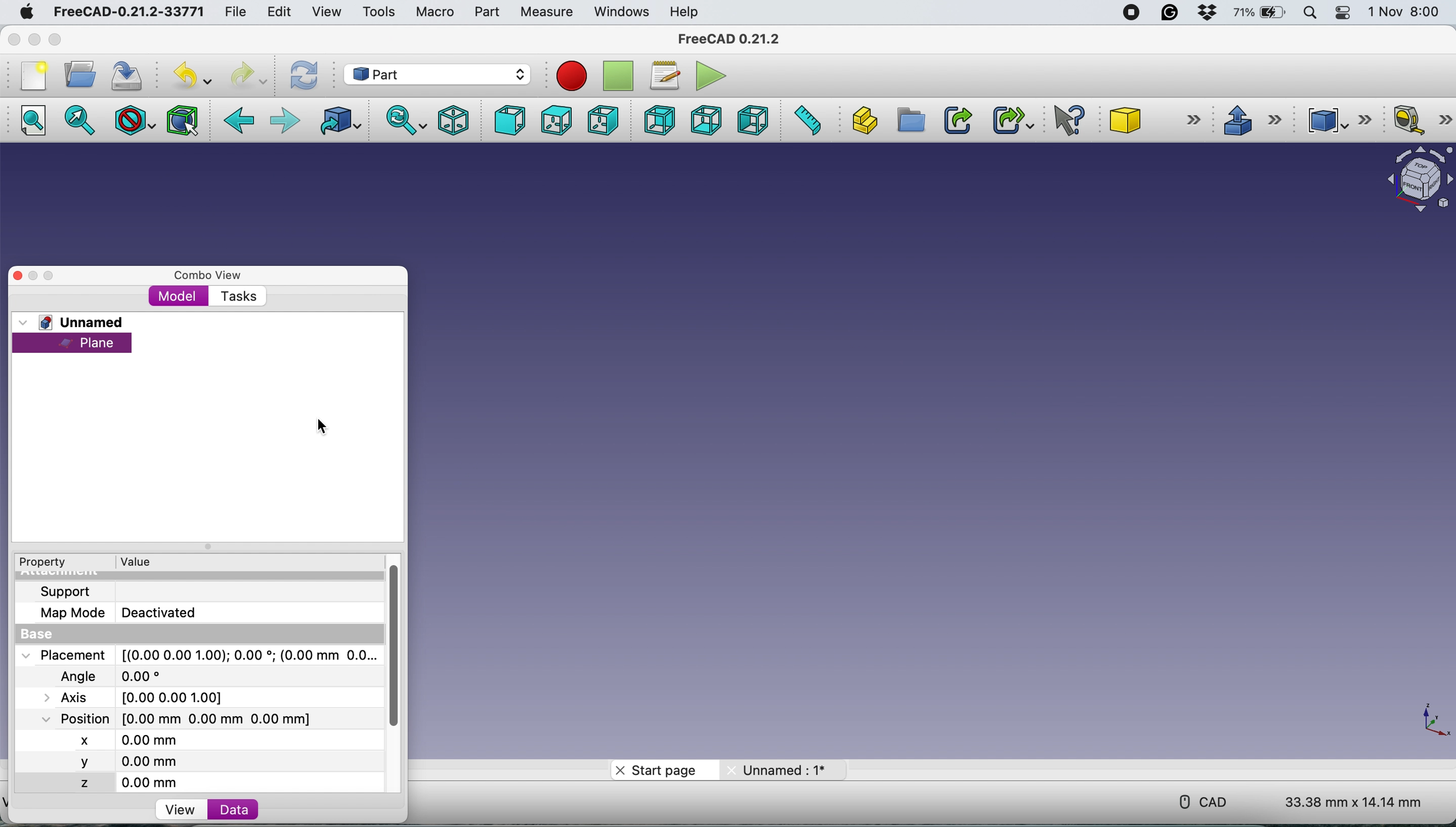 This screenshot has width=1456, height=827. Describe the element at coordinates (181, 720) in the screenshot. I see `Position [0.00 mm 0.00 mm 0.00 mm]` at that location.